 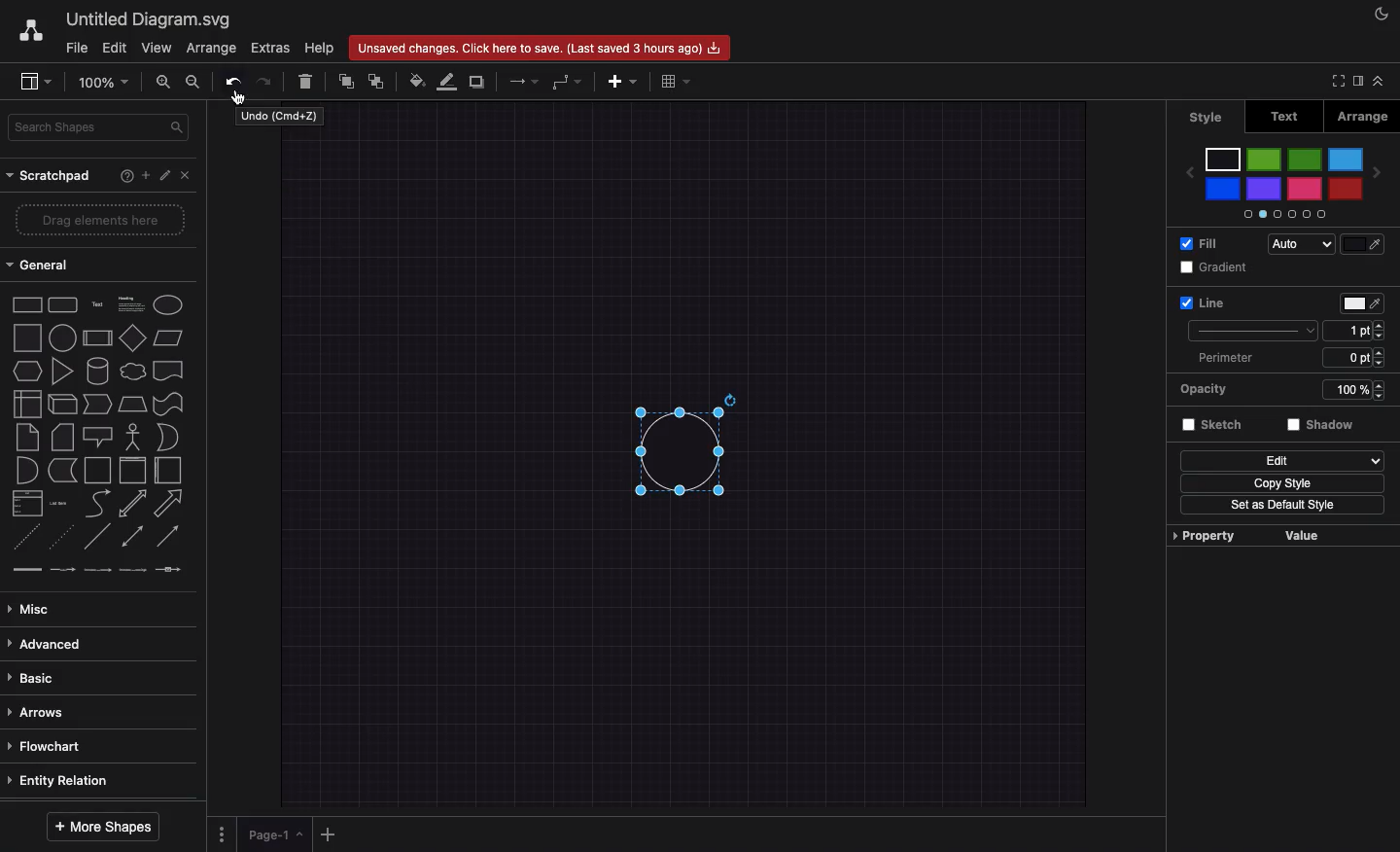 What do you see at coordinates (1284, 460) in the screenshot?
I see `Edit` at bounding box center [1284, 460].